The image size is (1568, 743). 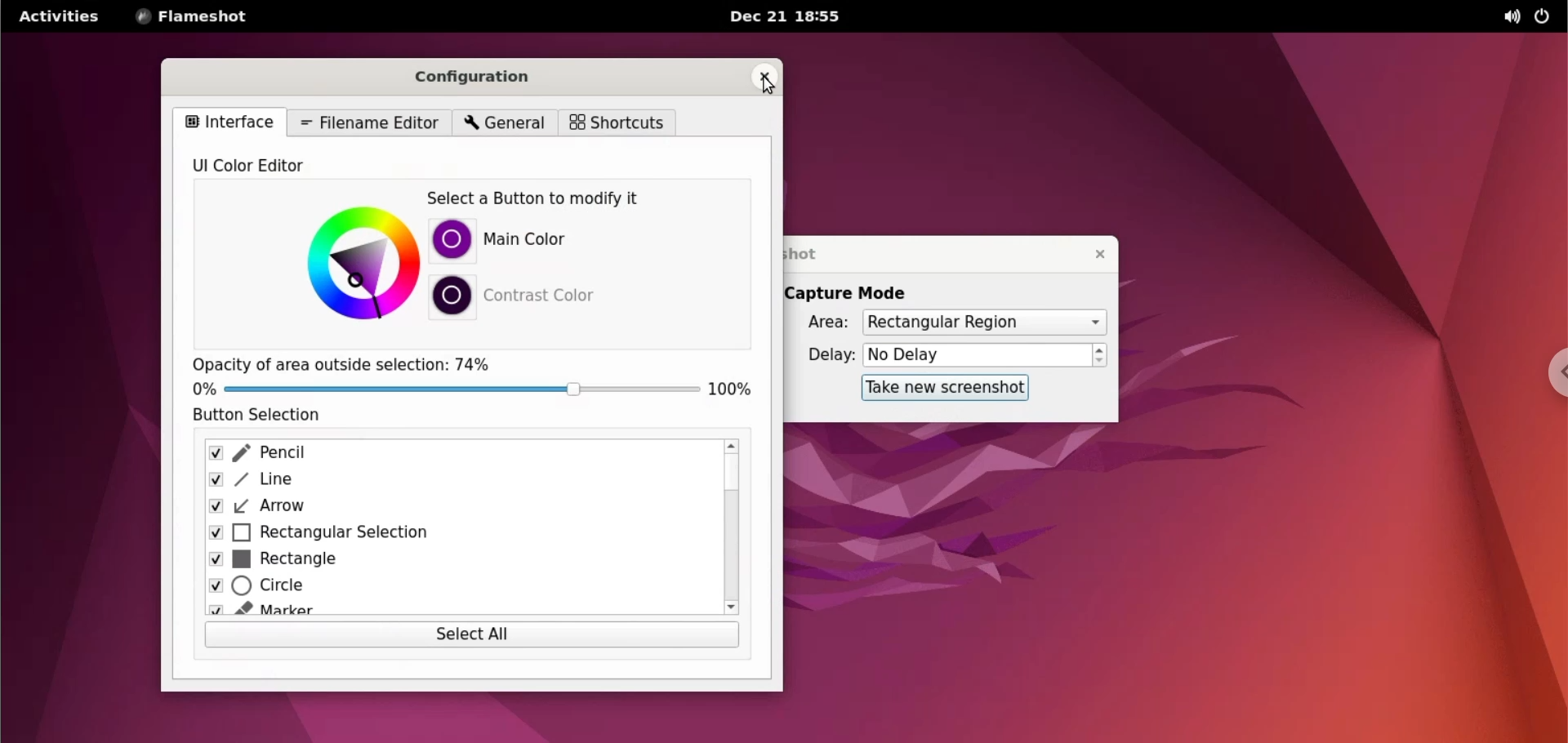 What do you see at coordinates (786, 18) in the screenshot?
I see `Dec 21 18:55` at bounding box center [786, 18].